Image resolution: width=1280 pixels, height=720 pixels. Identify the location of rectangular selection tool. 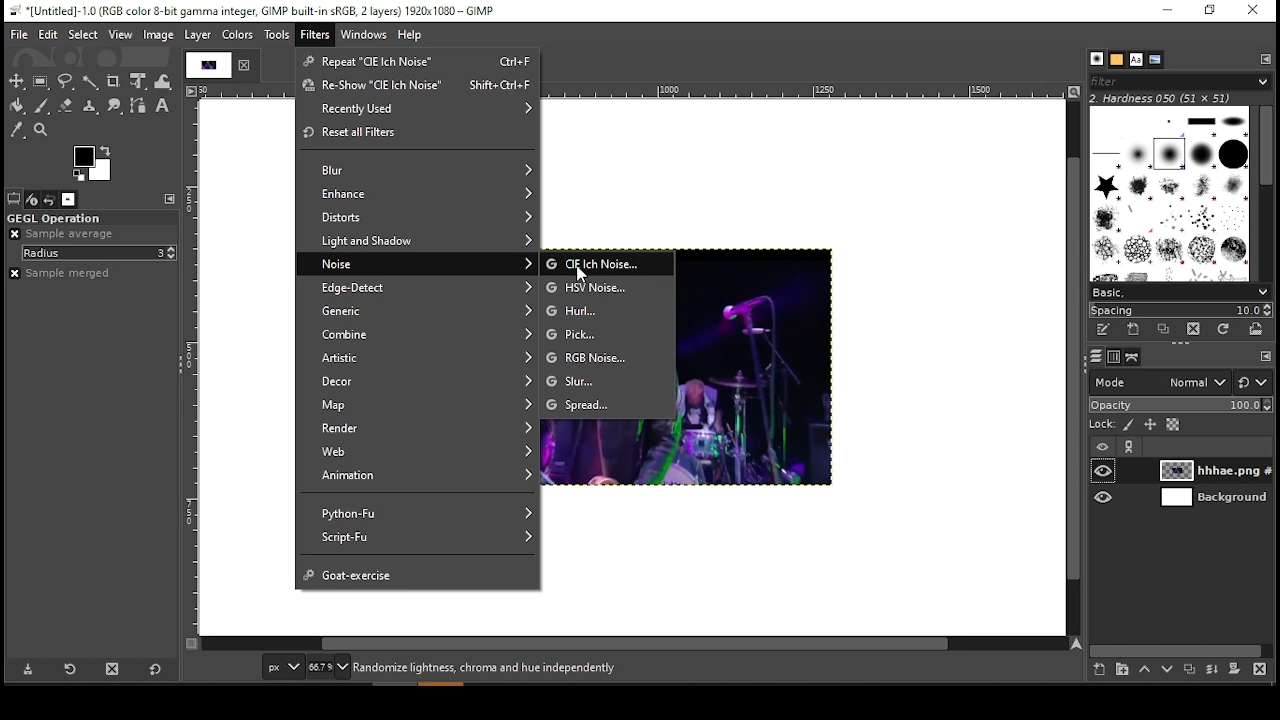
(40, 81).